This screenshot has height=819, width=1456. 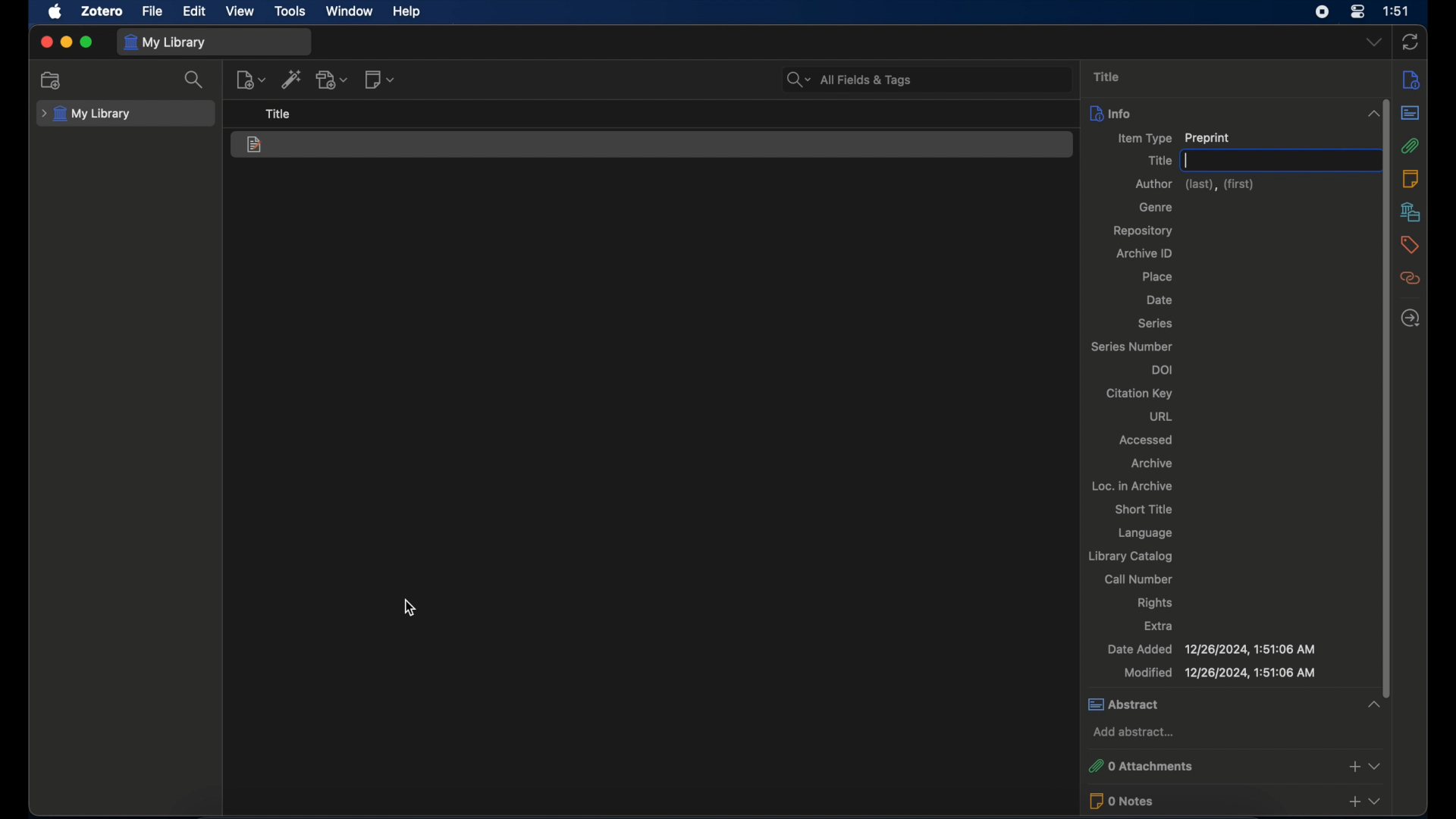 What do you see at coordinates (1235, 112) in the screenshot?
I see `info` at bounding box center [1235, 112].